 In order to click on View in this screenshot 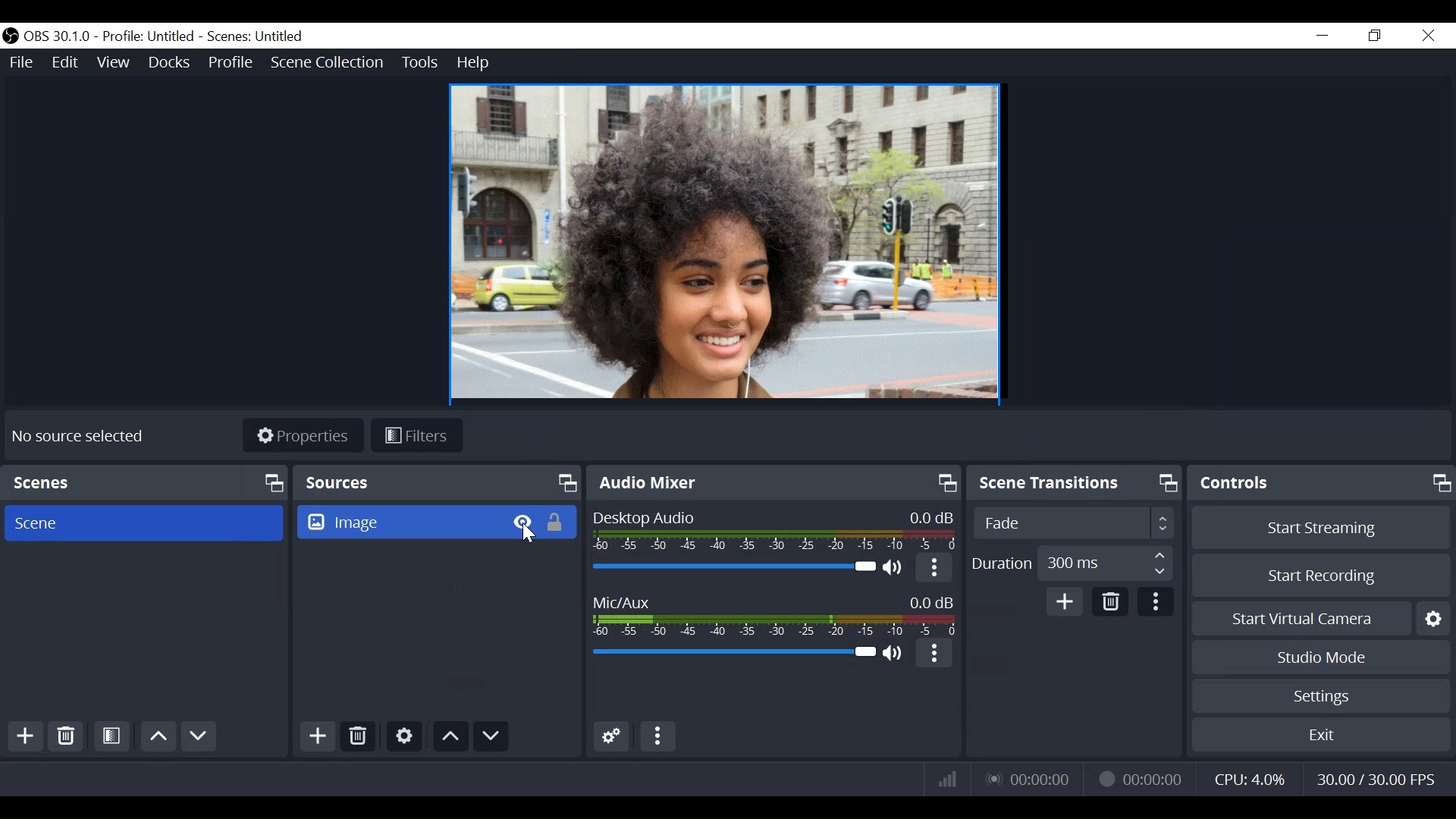, I will do `click(111, 60)`.